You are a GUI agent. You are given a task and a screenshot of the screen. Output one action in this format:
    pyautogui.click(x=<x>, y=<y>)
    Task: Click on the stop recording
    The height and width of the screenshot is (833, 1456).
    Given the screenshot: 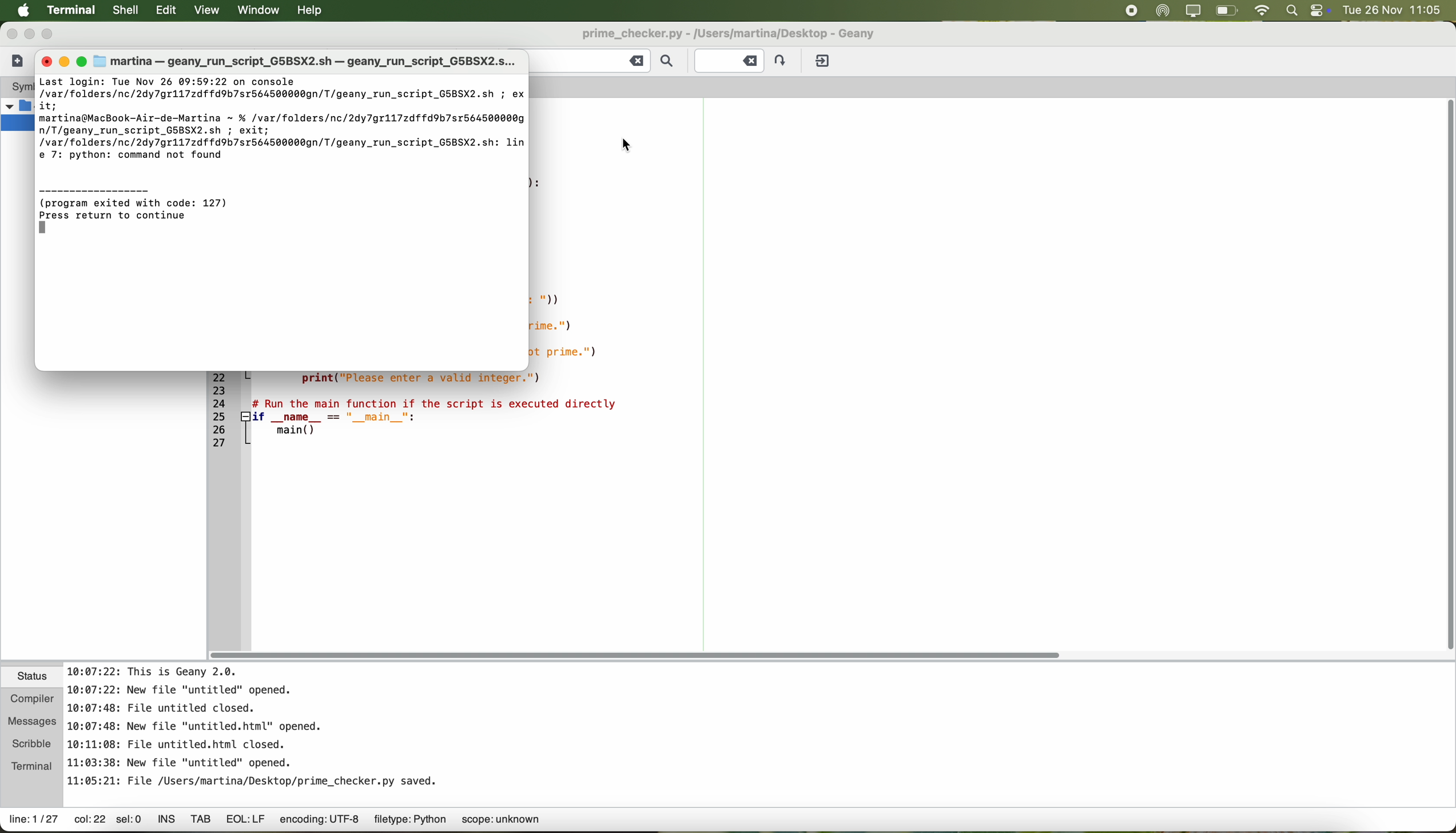 What is the action you would take?
    pyautogui.click(x=1131, y=10)
    